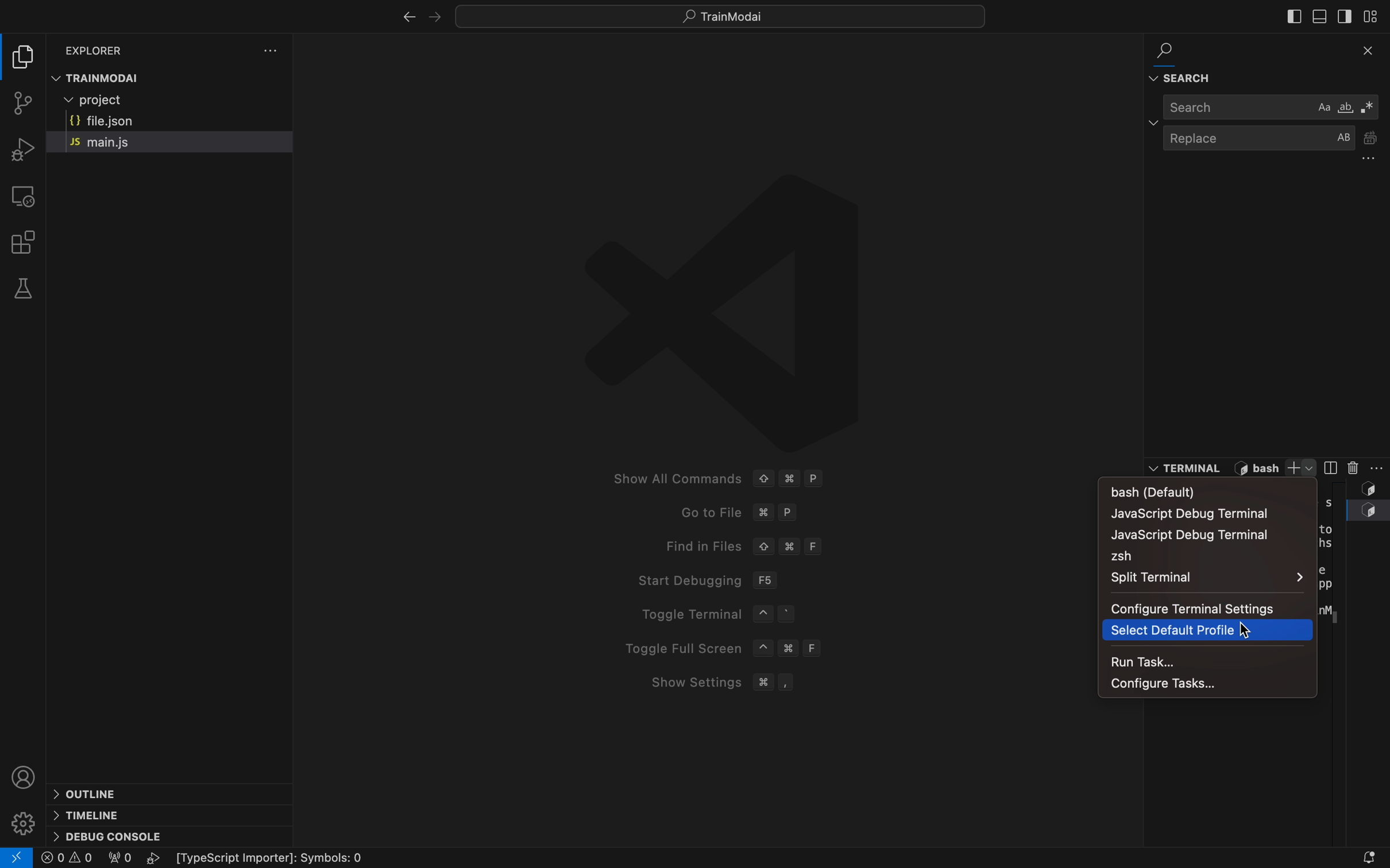 This screenshot has width=1390, height=868. Describe the element at coordinates (719, 16) in the screenshot. I see `project name` at that location.